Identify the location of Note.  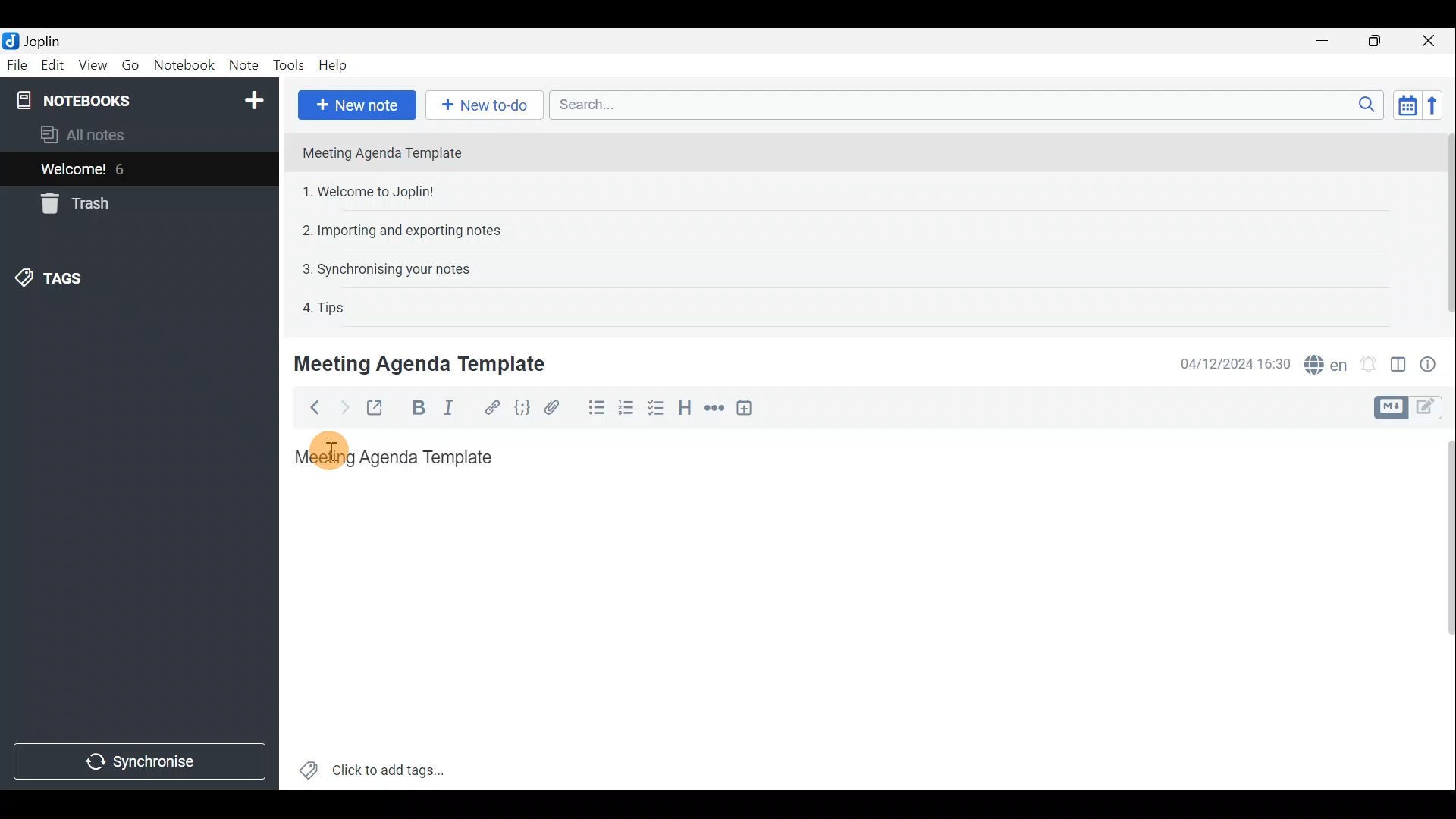
(241, 62).